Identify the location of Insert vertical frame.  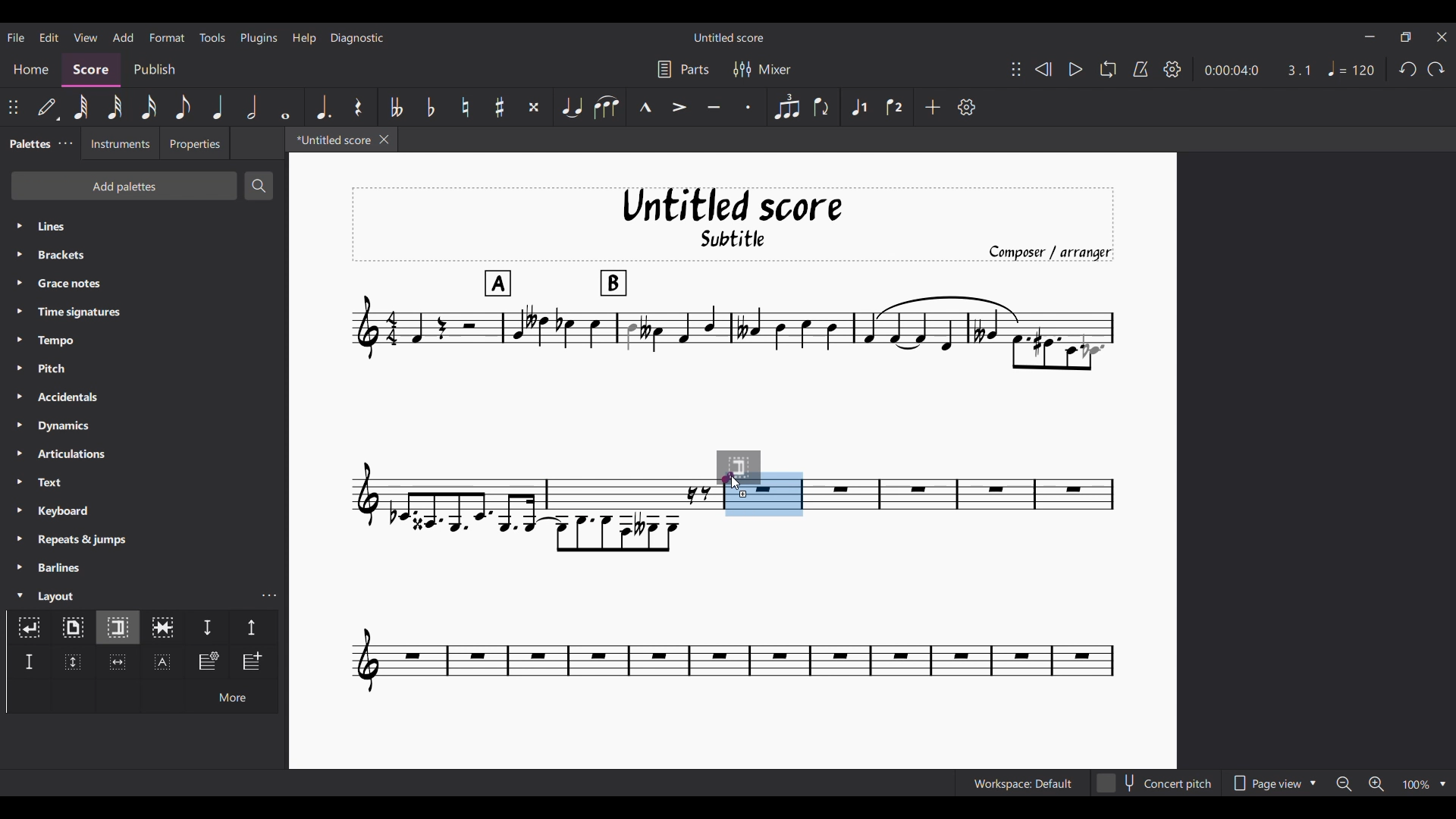
(74, 662).